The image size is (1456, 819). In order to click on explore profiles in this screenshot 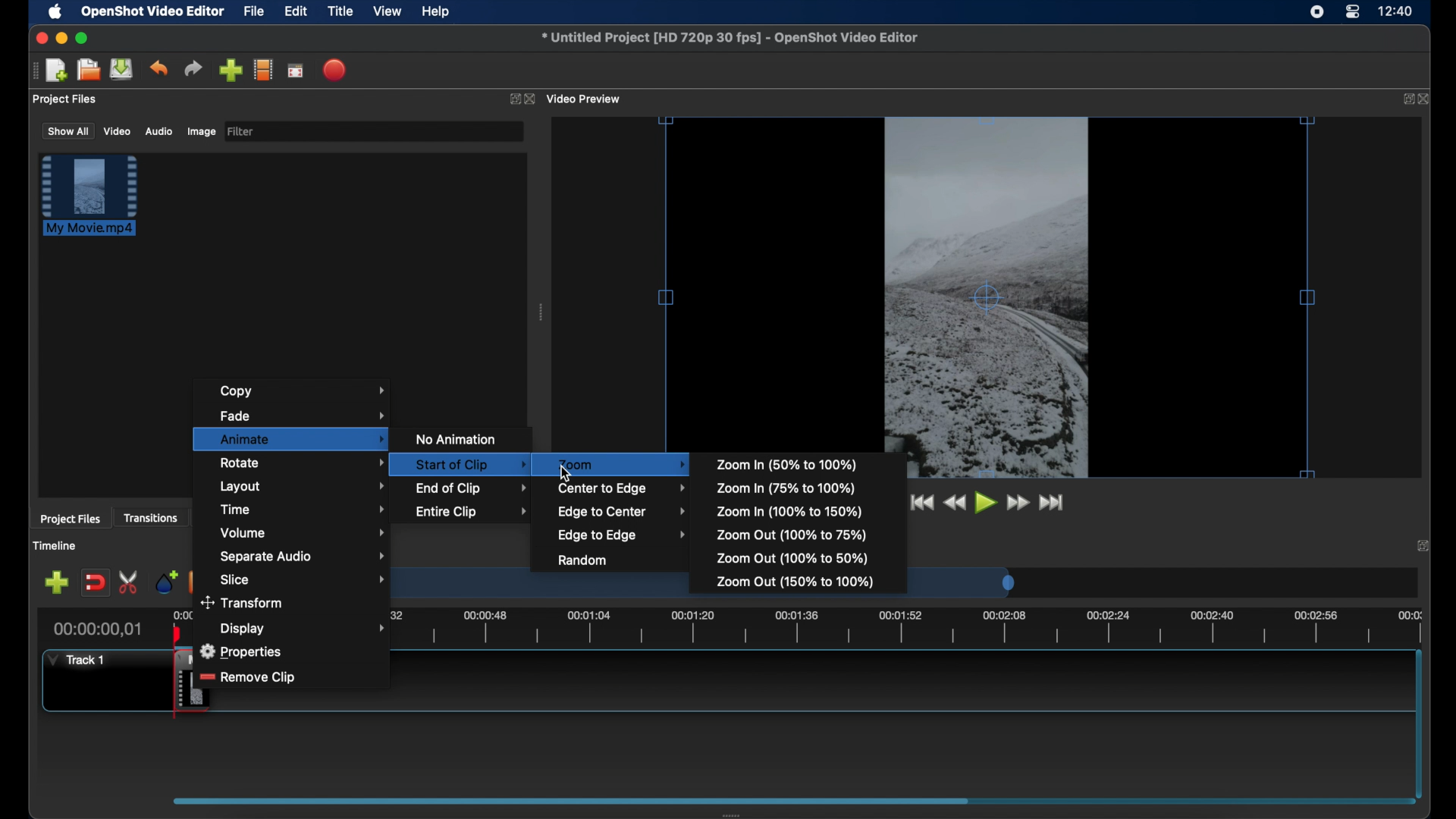, I will do `click(262, 69)`.